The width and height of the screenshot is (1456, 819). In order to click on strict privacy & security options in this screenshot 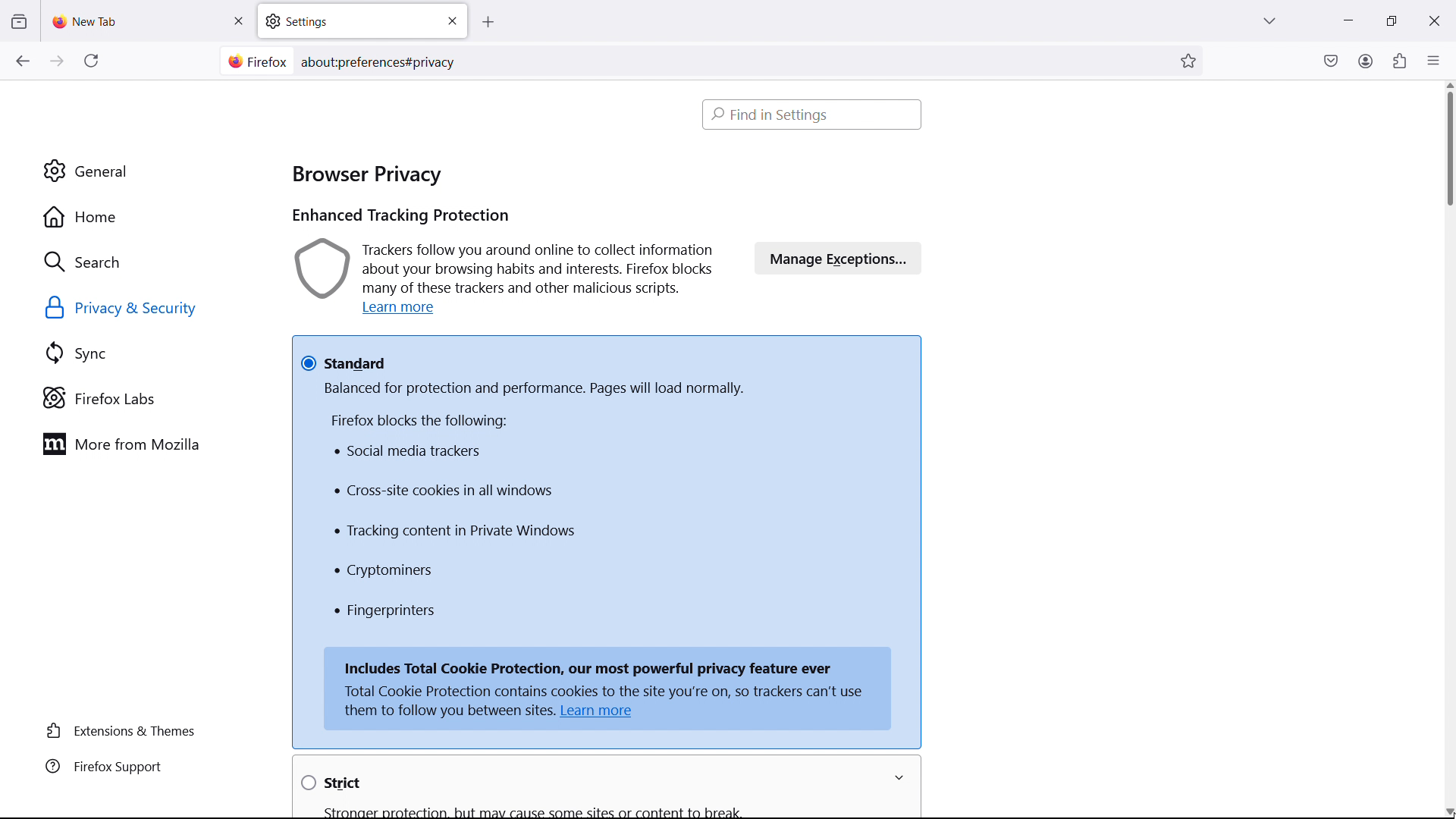, I will do `click(573, 784)`.